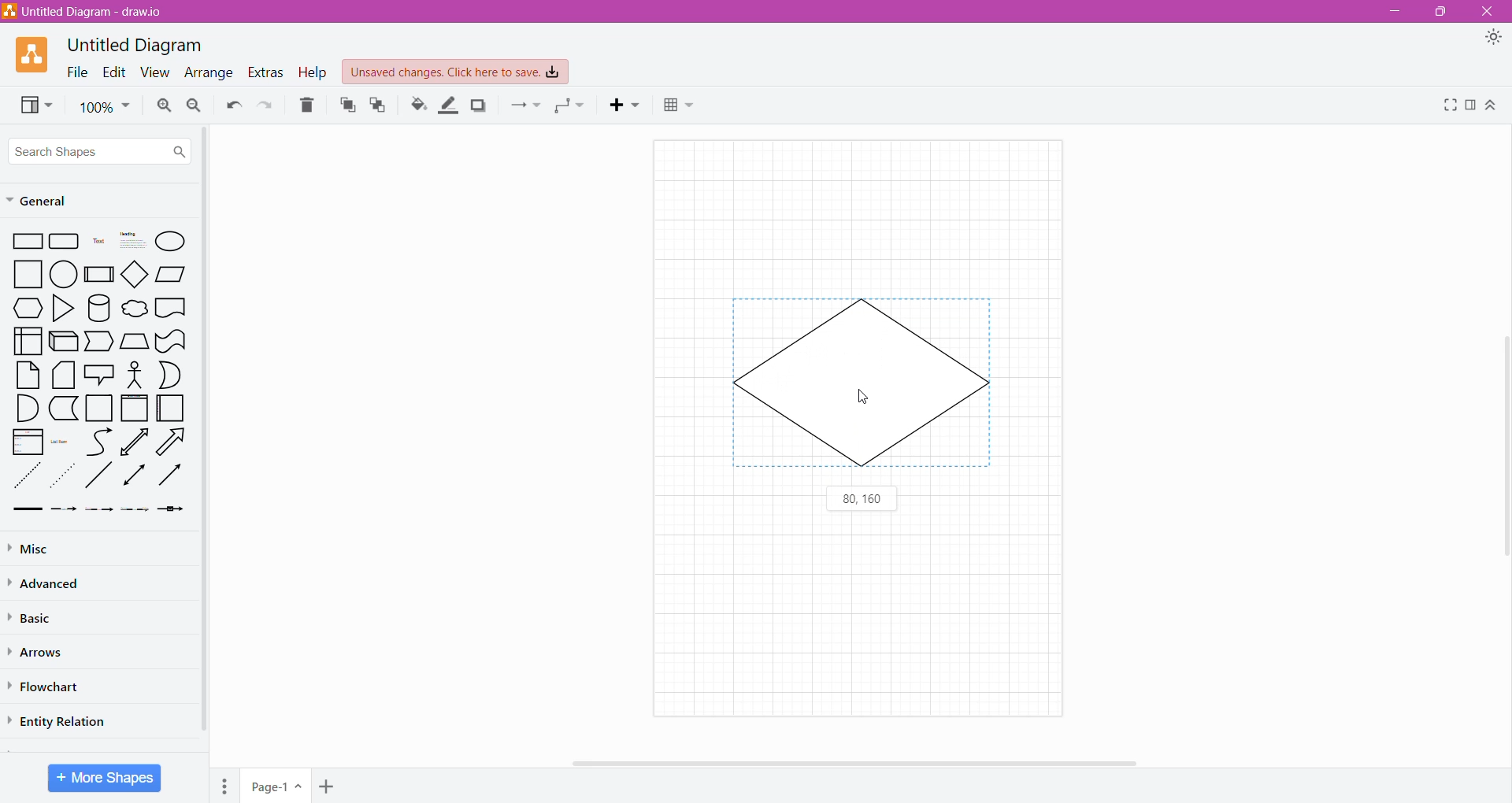 This screenshot has height=803, width=1512. What do you see at coordinates (207, 74) in the screenshot?
I see `Arrange` at bounding box center [207, 74].